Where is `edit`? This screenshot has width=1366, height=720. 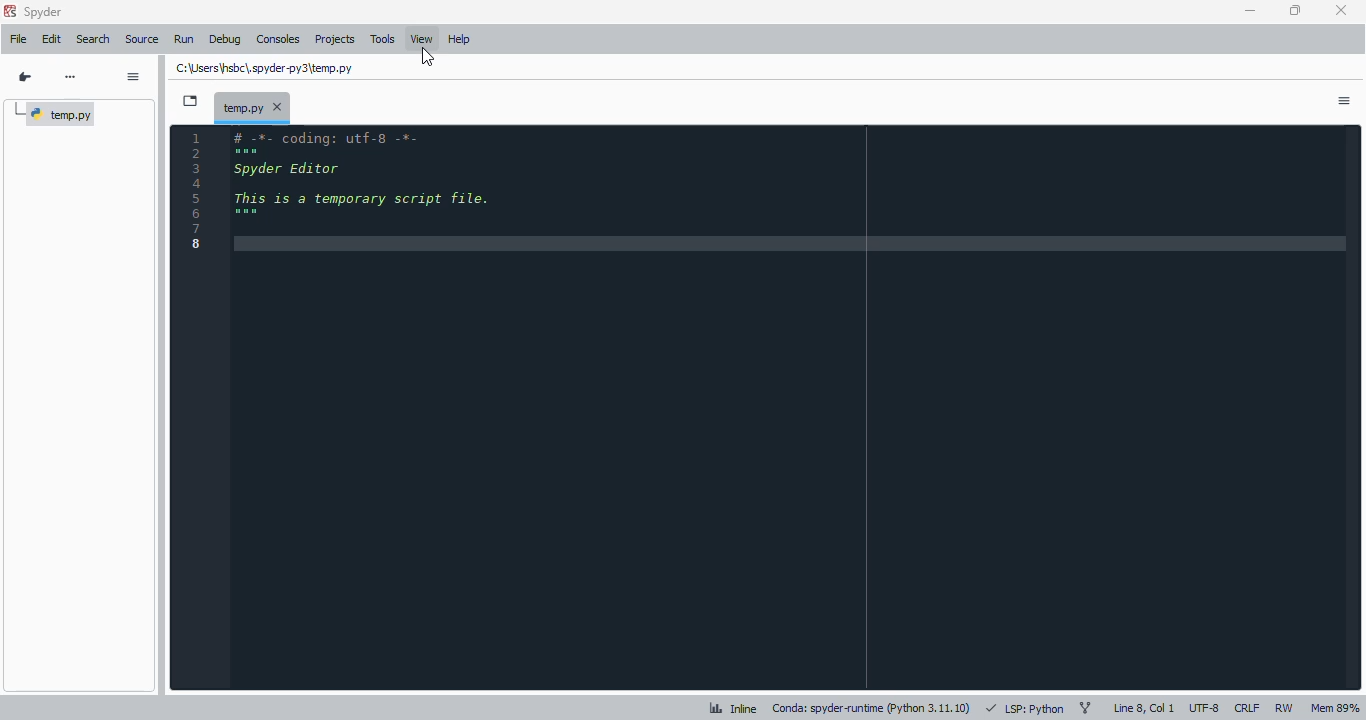 edit is located at coordinates (52, 39).